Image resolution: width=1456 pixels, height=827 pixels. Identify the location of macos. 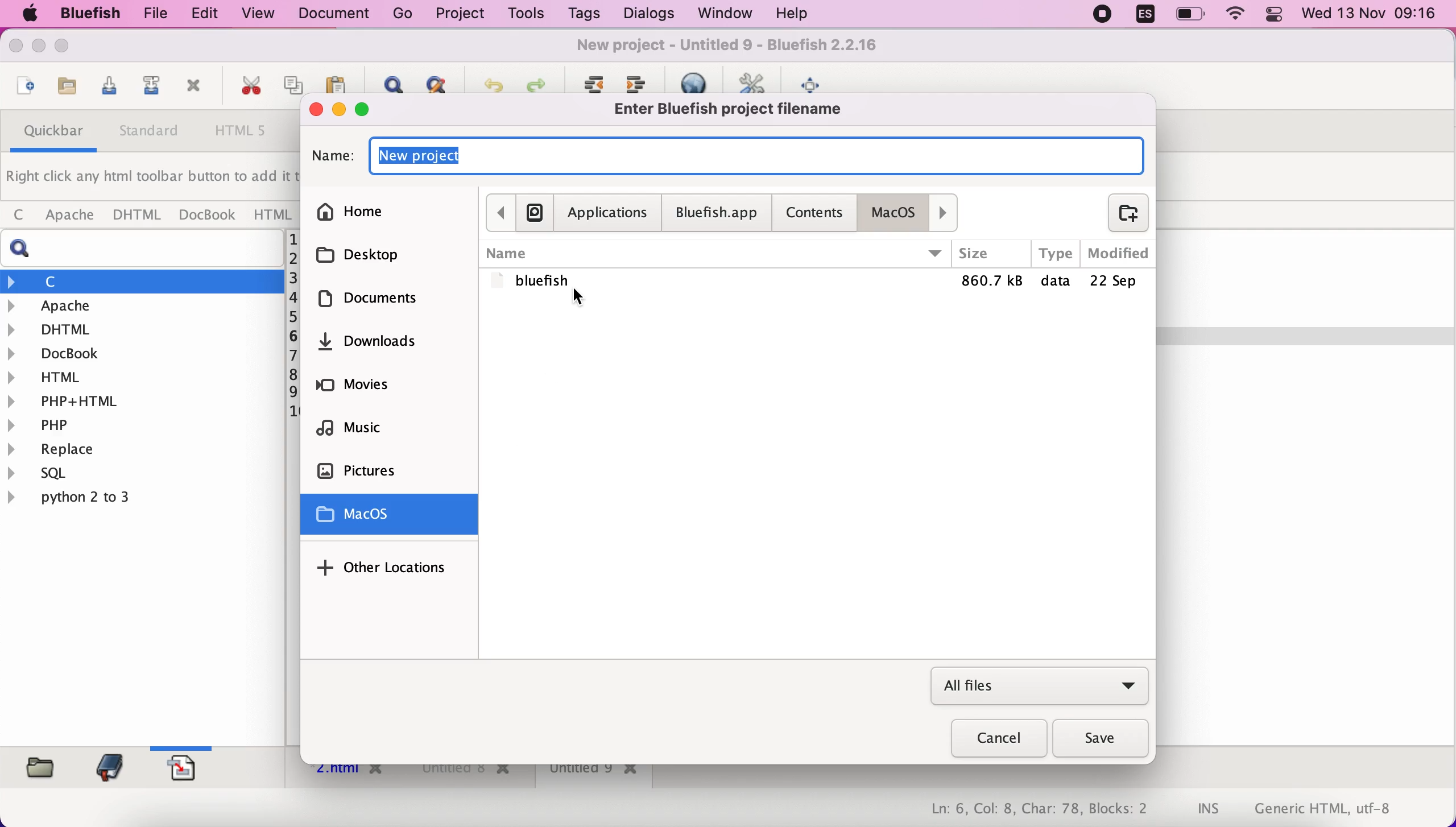
(393, 516).